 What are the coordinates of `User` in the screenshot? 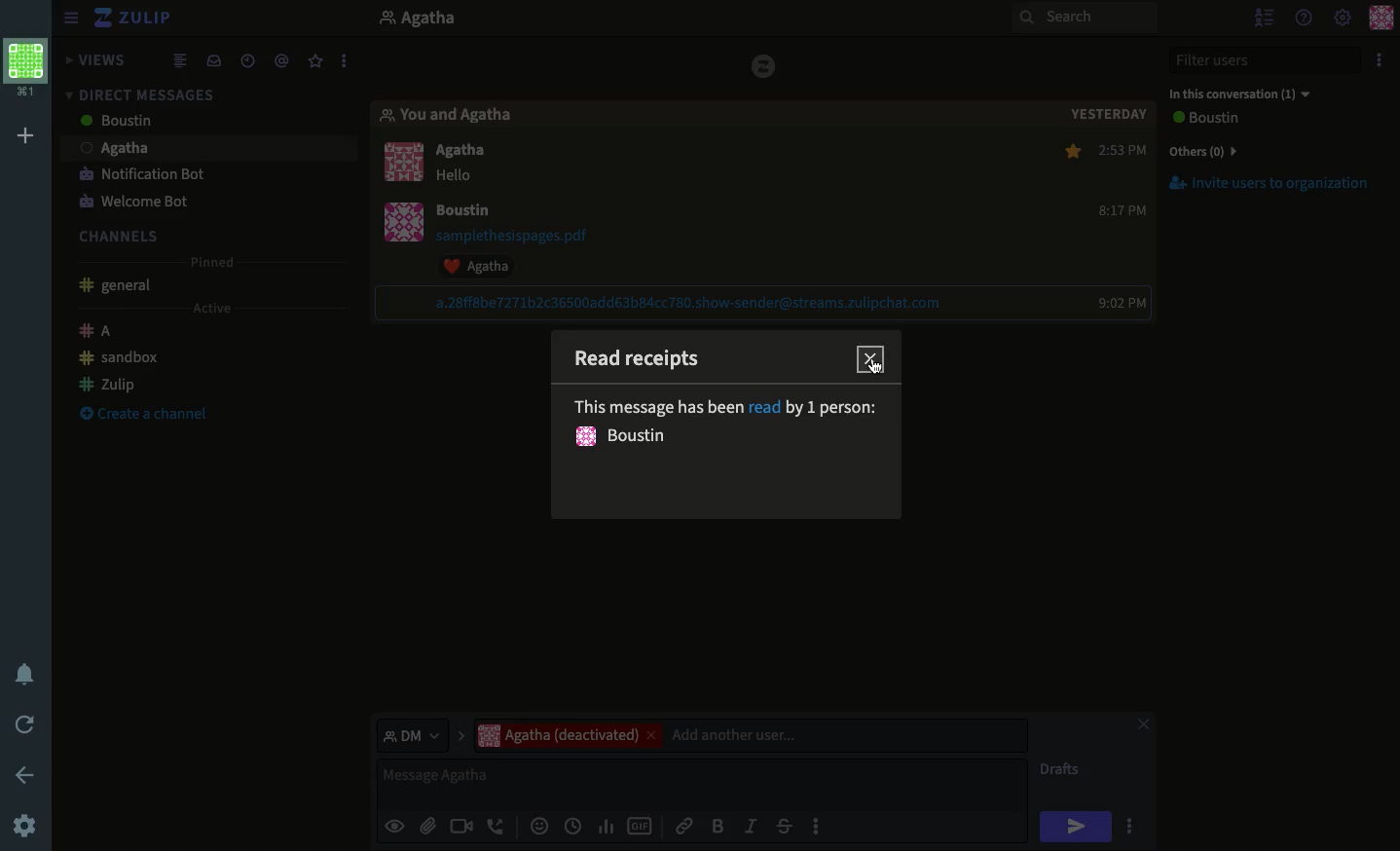 It's located at (439, 20).